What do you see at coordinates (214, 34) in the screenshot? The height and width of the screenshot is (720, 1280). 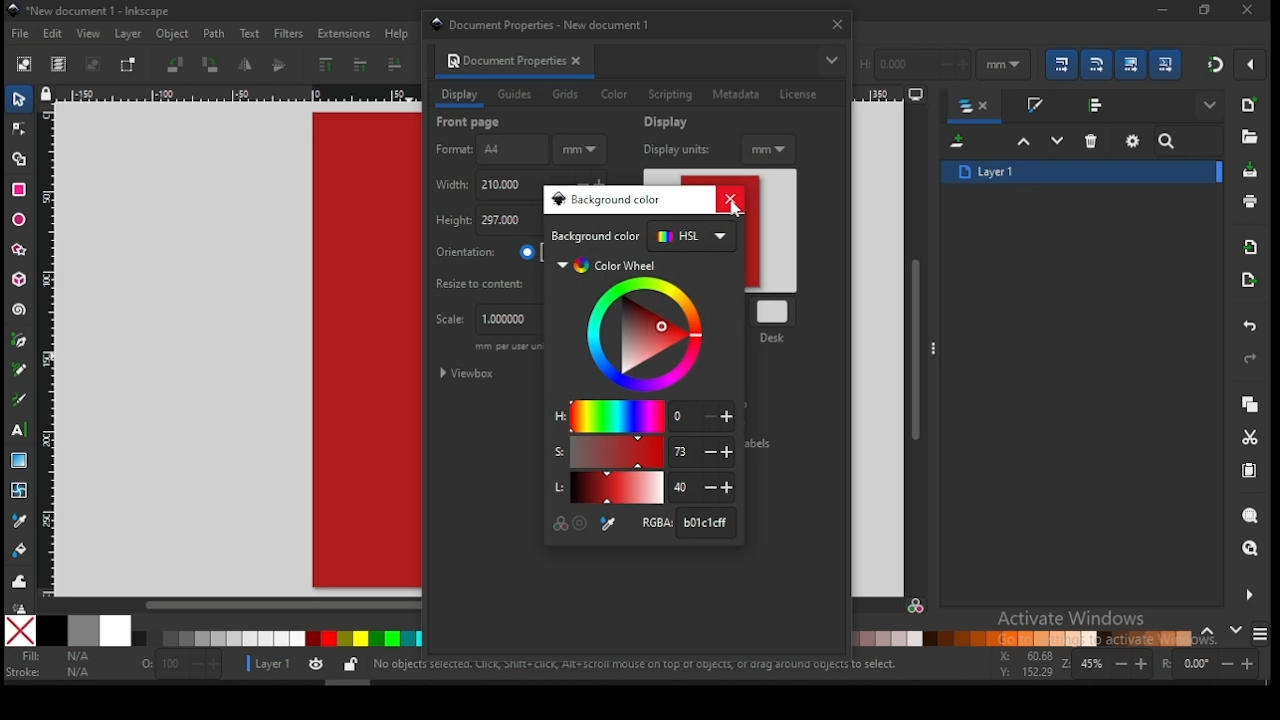 I see `path` at bounding box center [214, 34].